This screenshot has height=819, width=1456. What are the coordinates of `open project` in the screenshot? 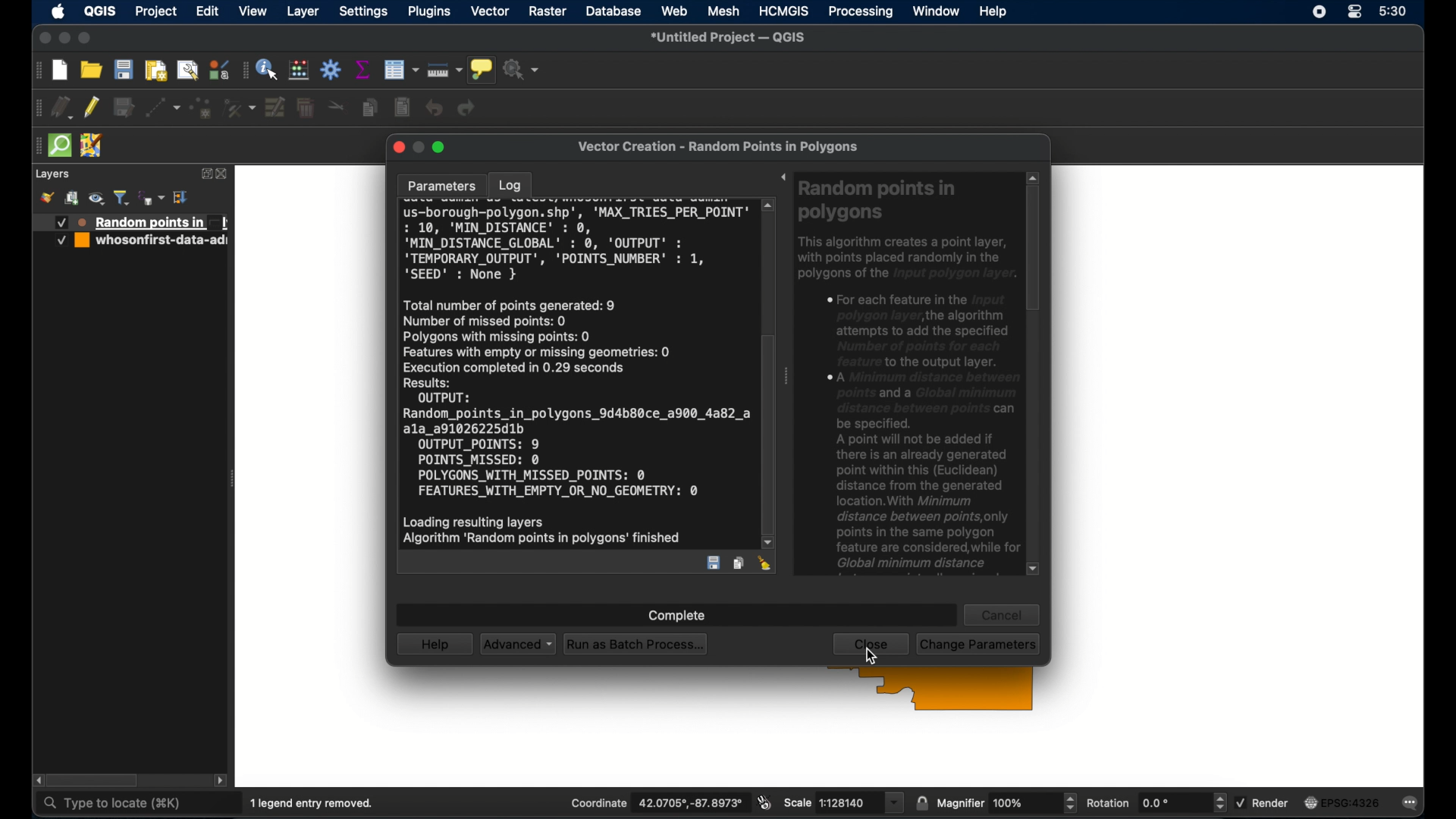 It's located at (92, 69).